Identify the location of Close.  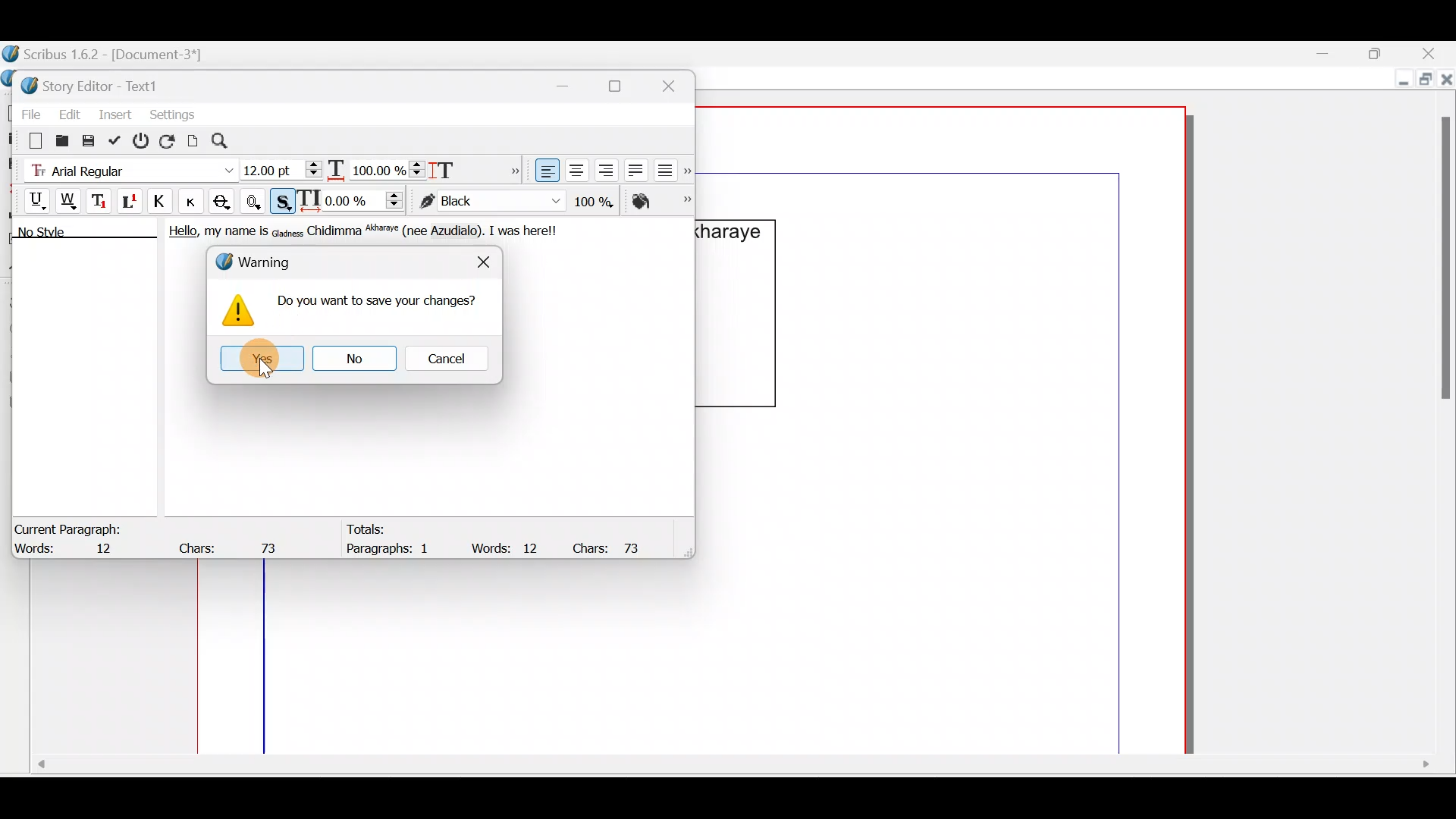
(1433, 53).